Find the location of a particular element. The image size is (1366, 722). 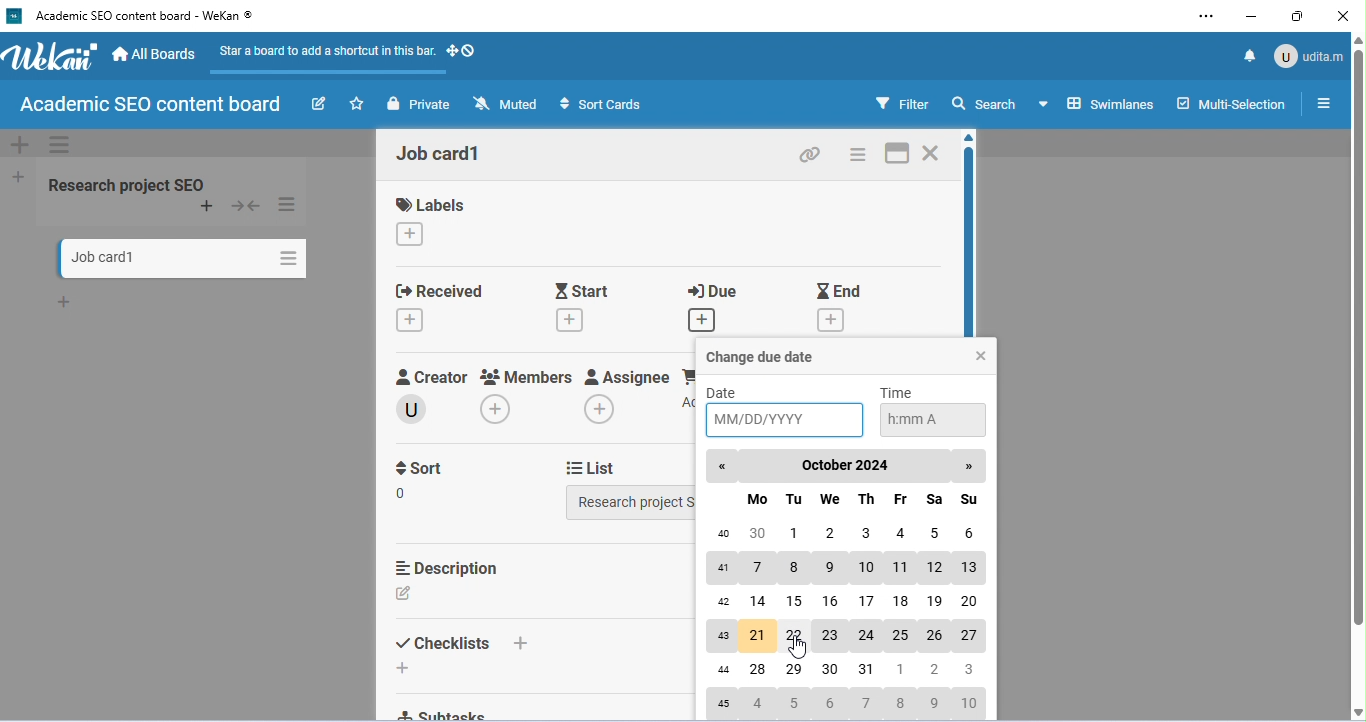

vertical scroll bar is located at coordinates (1357, 337).